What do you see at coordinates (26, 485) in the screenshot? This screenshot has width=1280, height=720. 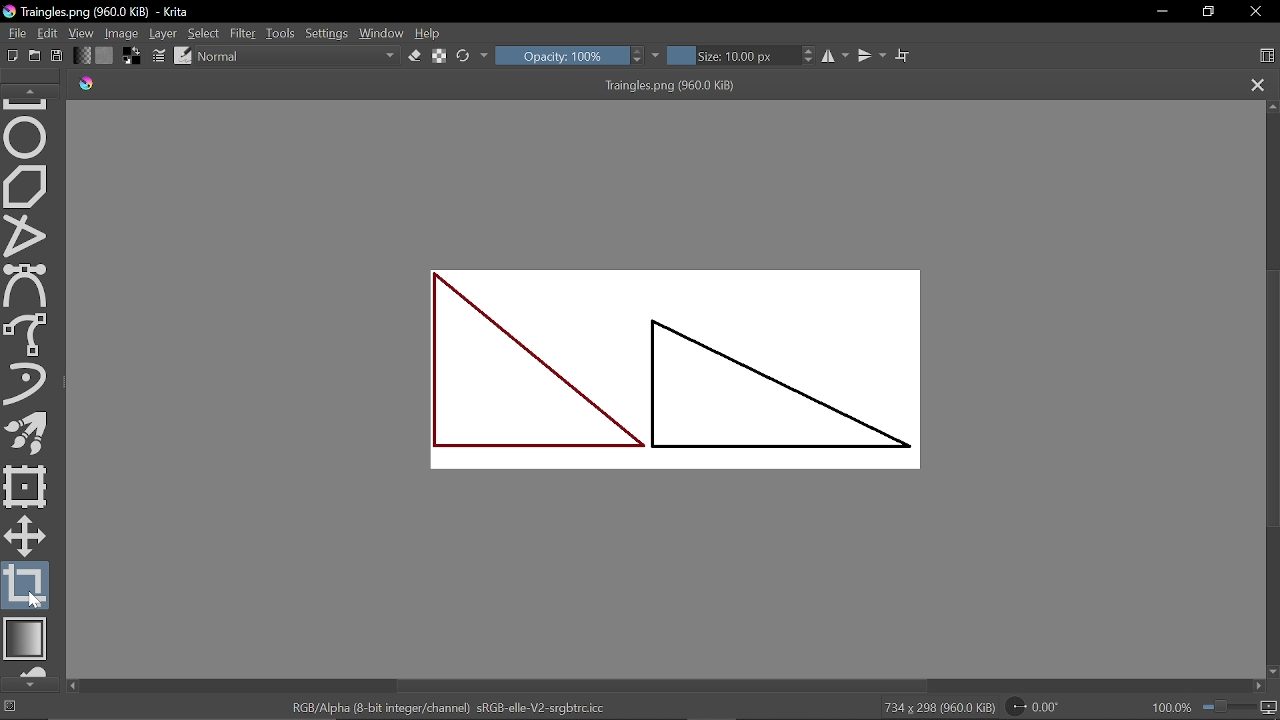 I see `Transform a layer or a selection` at bounding box center [26, 485].